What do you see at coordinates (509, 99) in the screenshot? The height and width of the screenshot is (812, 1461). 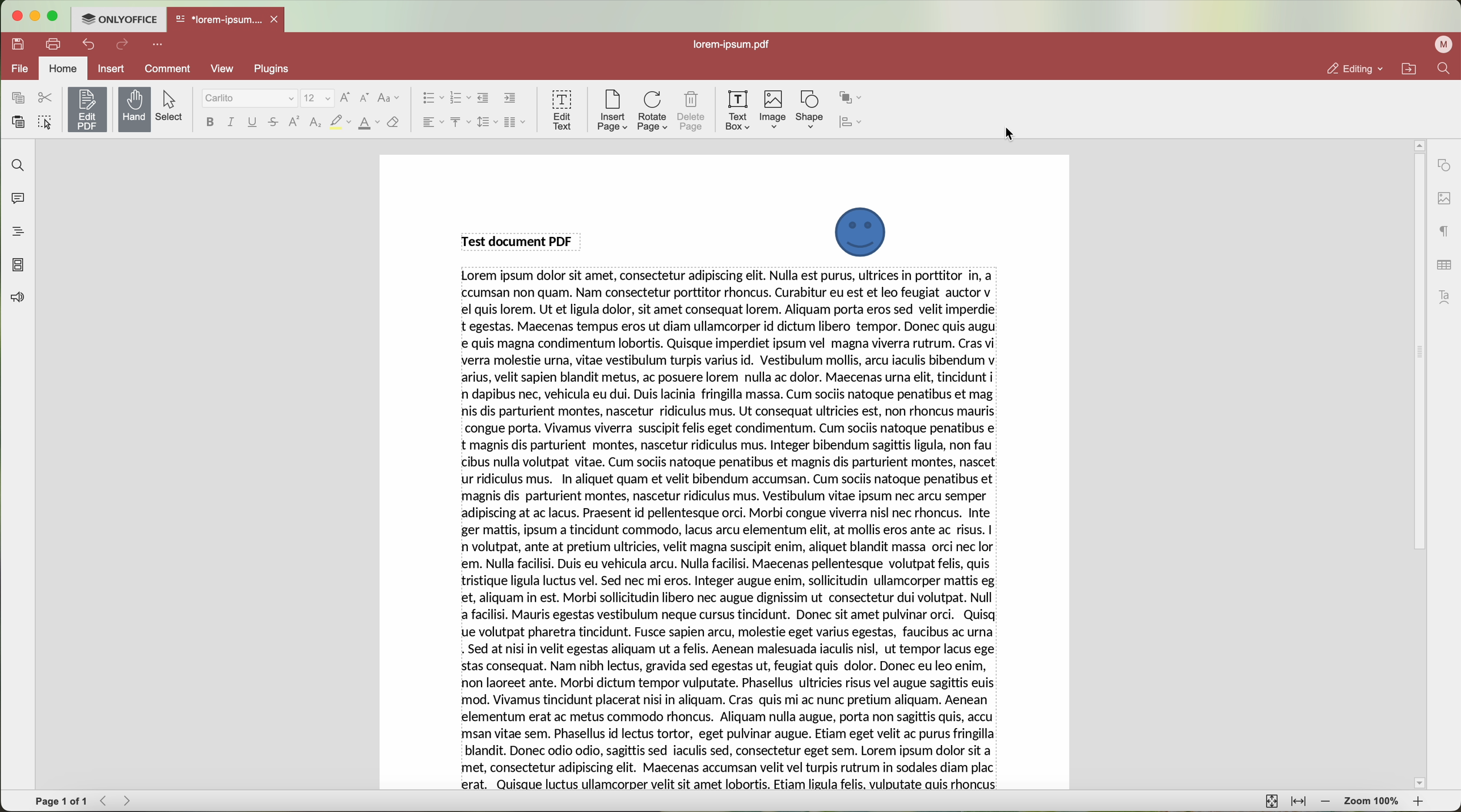 I see `increase indent` at bounding box center [509, 99].